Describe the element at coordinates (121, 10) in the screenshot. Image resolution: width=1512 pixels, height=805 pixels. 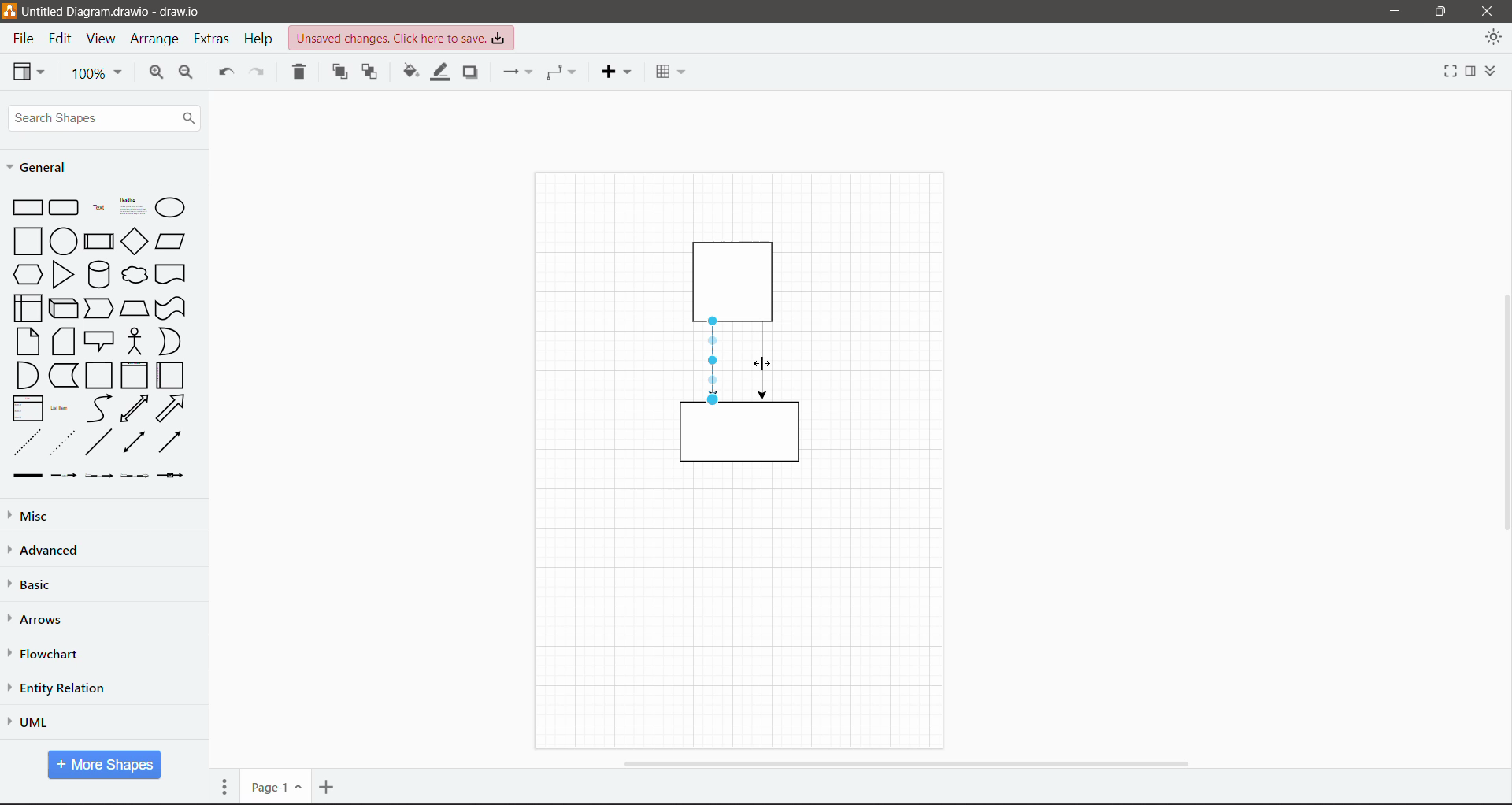
I see `Untitled Diagram.drawio - draw.io` at that location.